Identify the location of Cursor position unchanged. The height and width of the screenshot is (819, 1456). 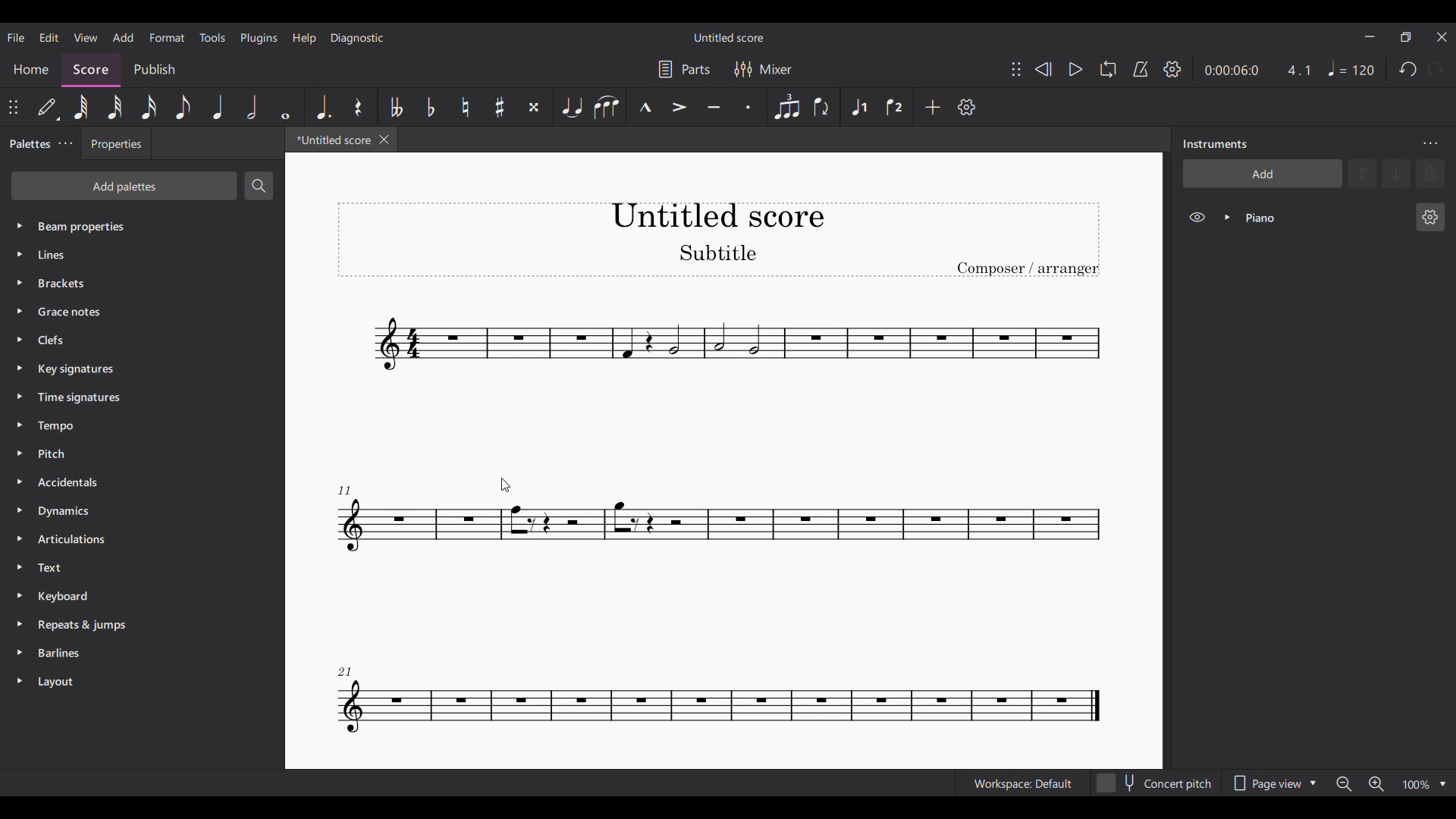
(507, 482).